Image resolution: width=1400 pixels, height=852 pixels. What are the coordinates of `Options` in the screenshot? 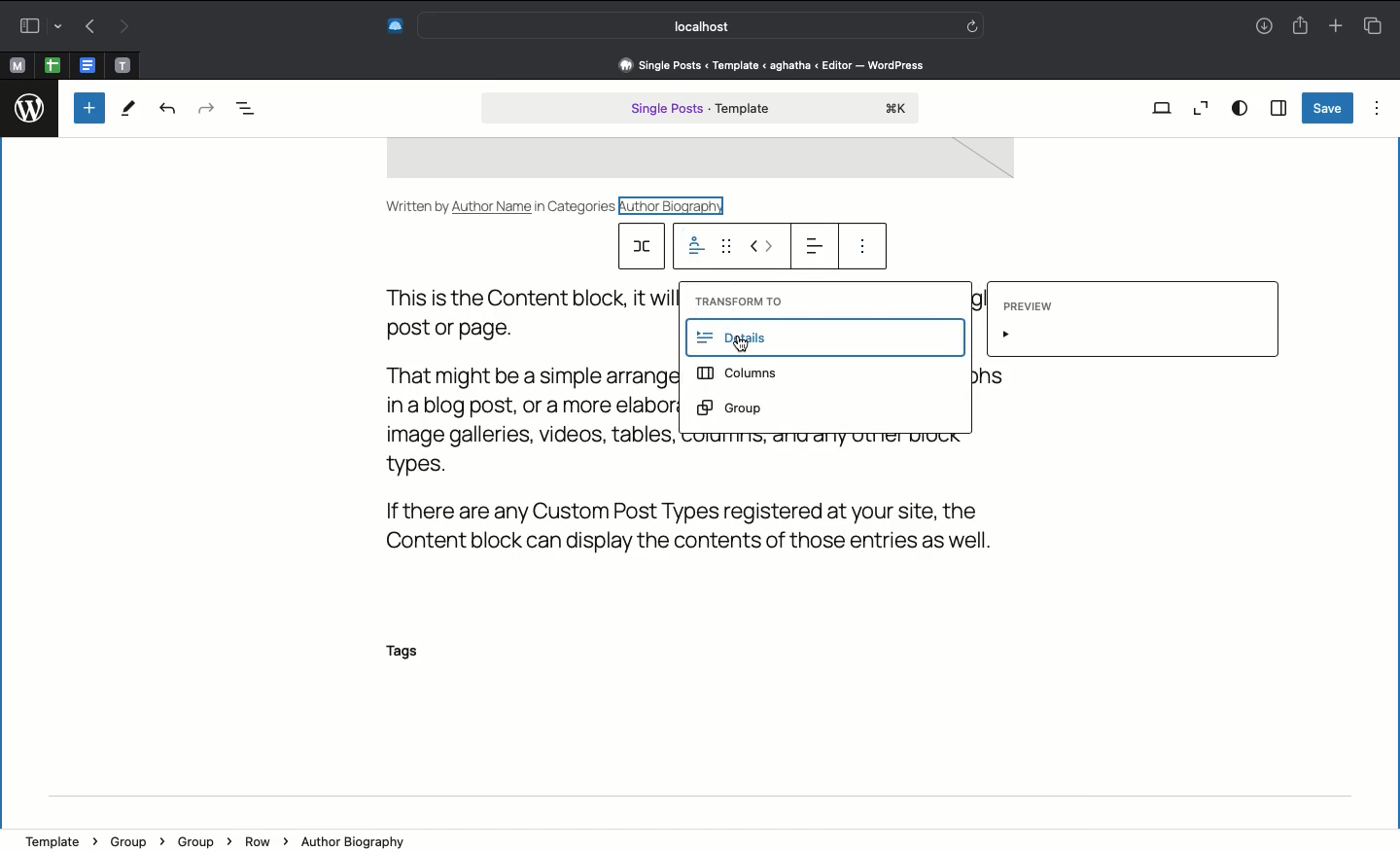 It's located at (862, 250).